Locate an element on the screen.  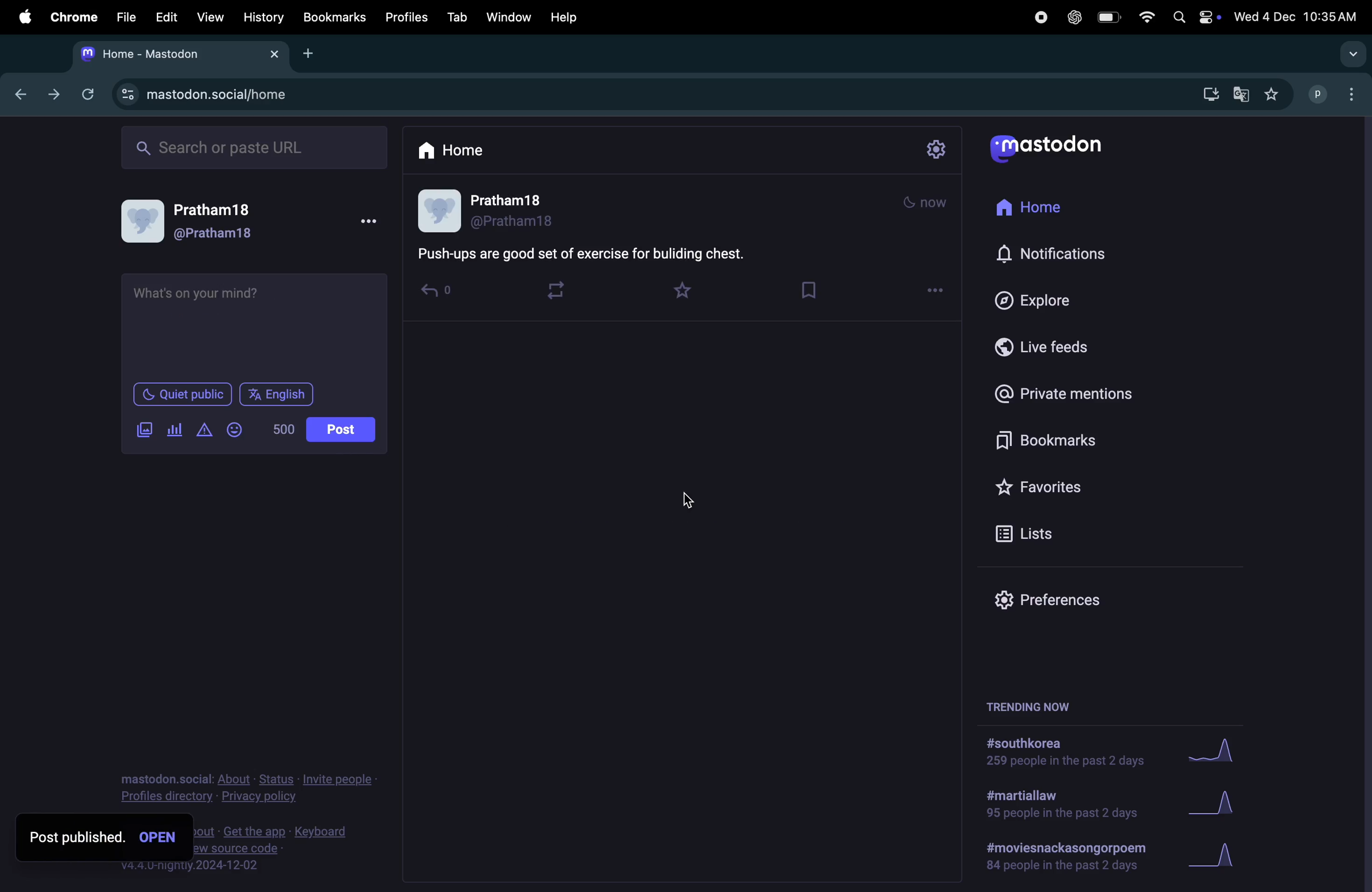
#movieandpoem is located at coordinates (1060, 856).